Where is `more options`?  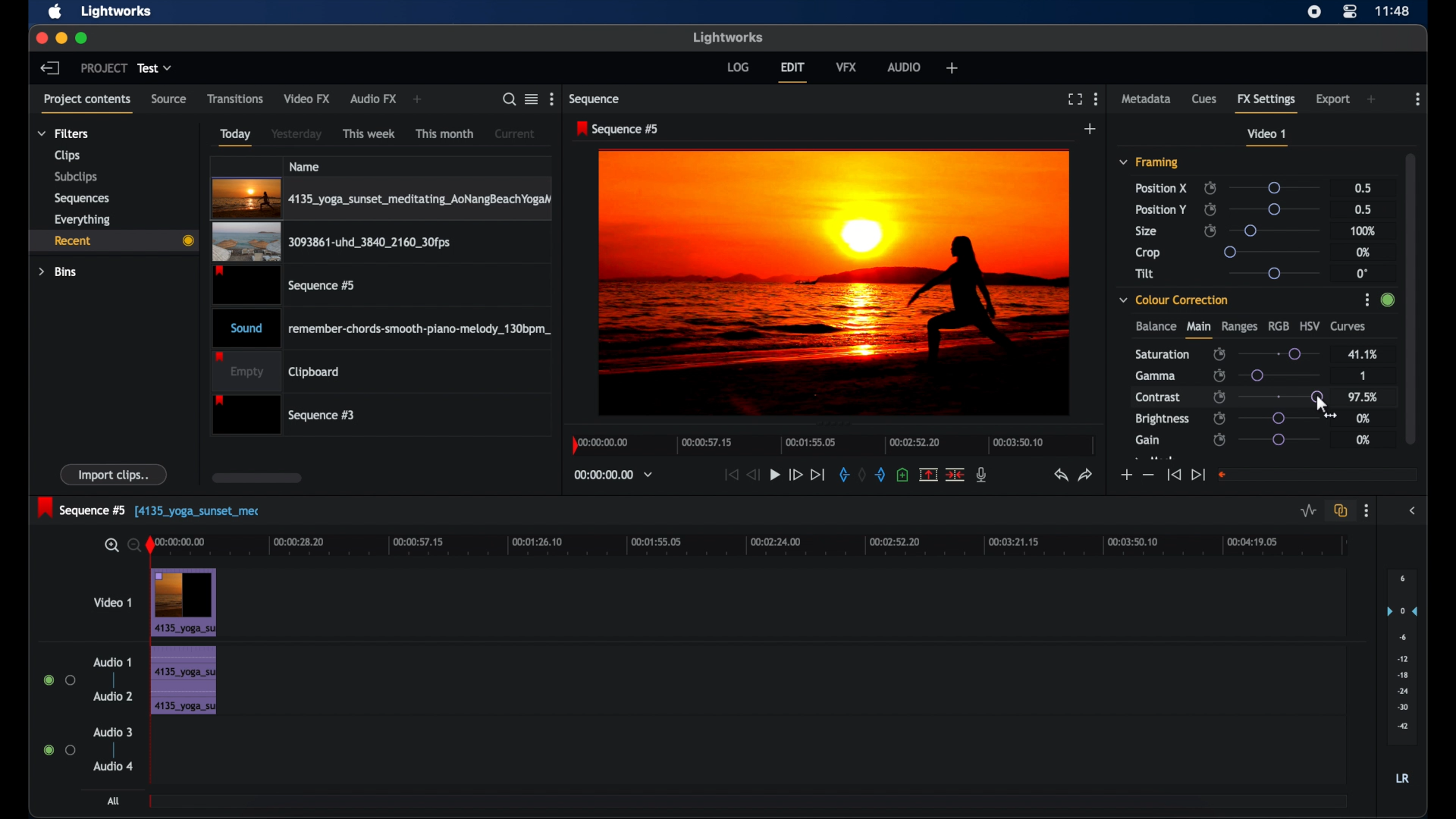
more options is located at coordinates (1096, 99).